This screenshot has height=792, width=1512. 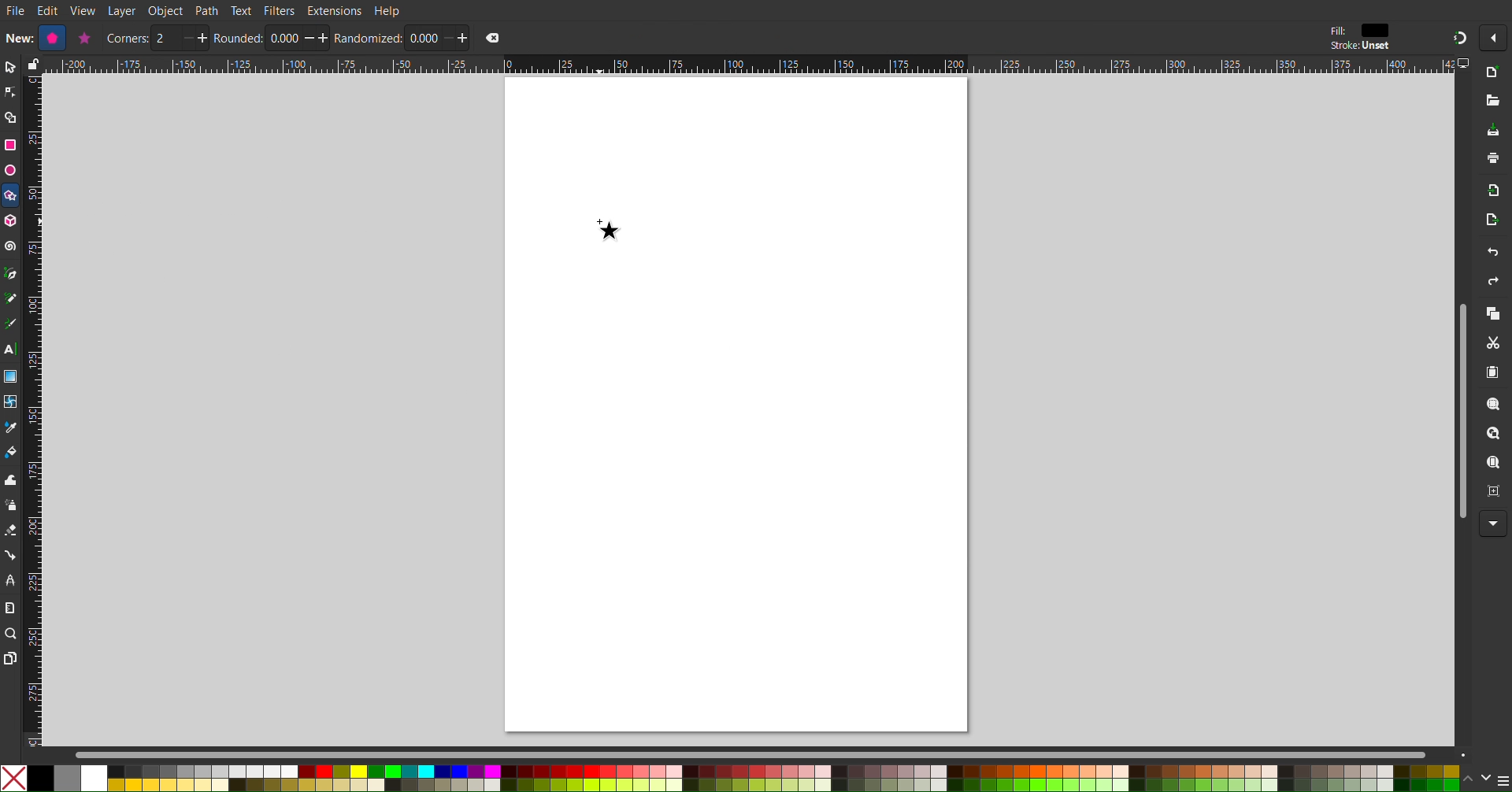 I want to click on Cursor, so click(x=608, y=227).